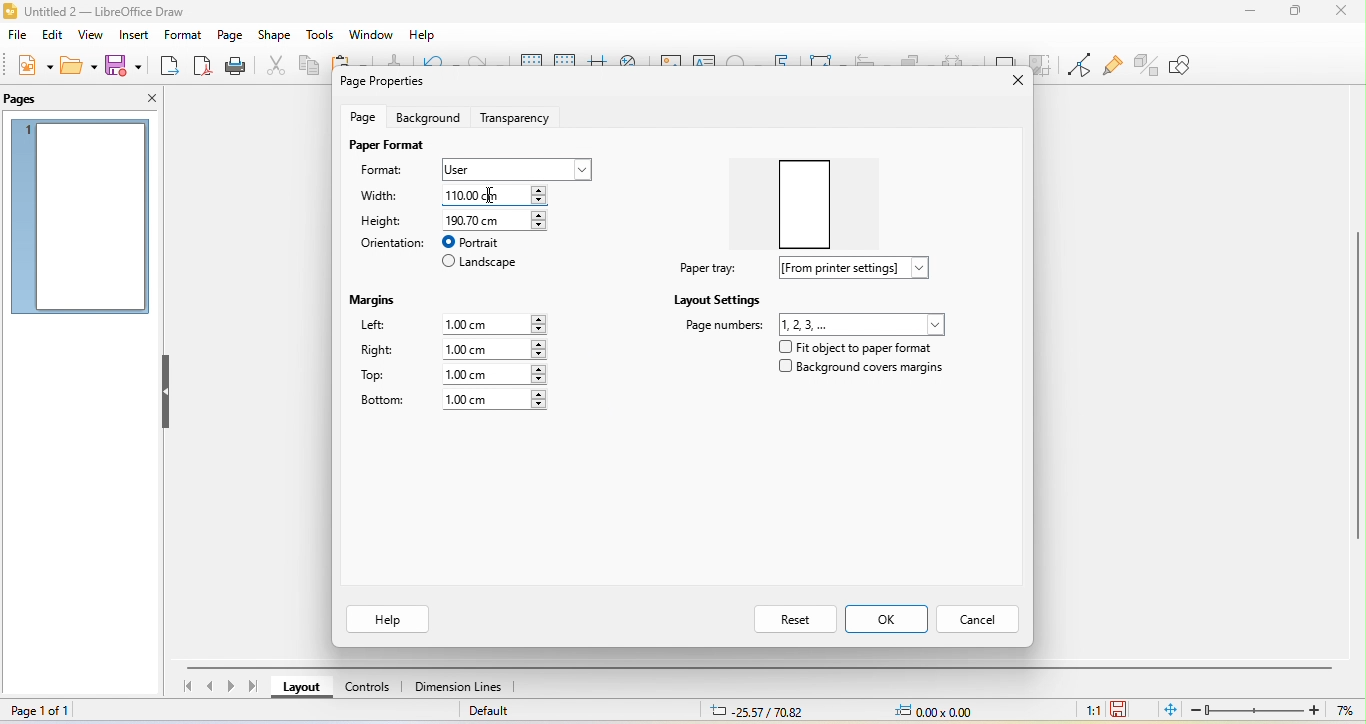 This screenshot has height=724, width=1366. Describe the element at coordinates (1294, 12) in the screenshot. I see `maximize` at that location.